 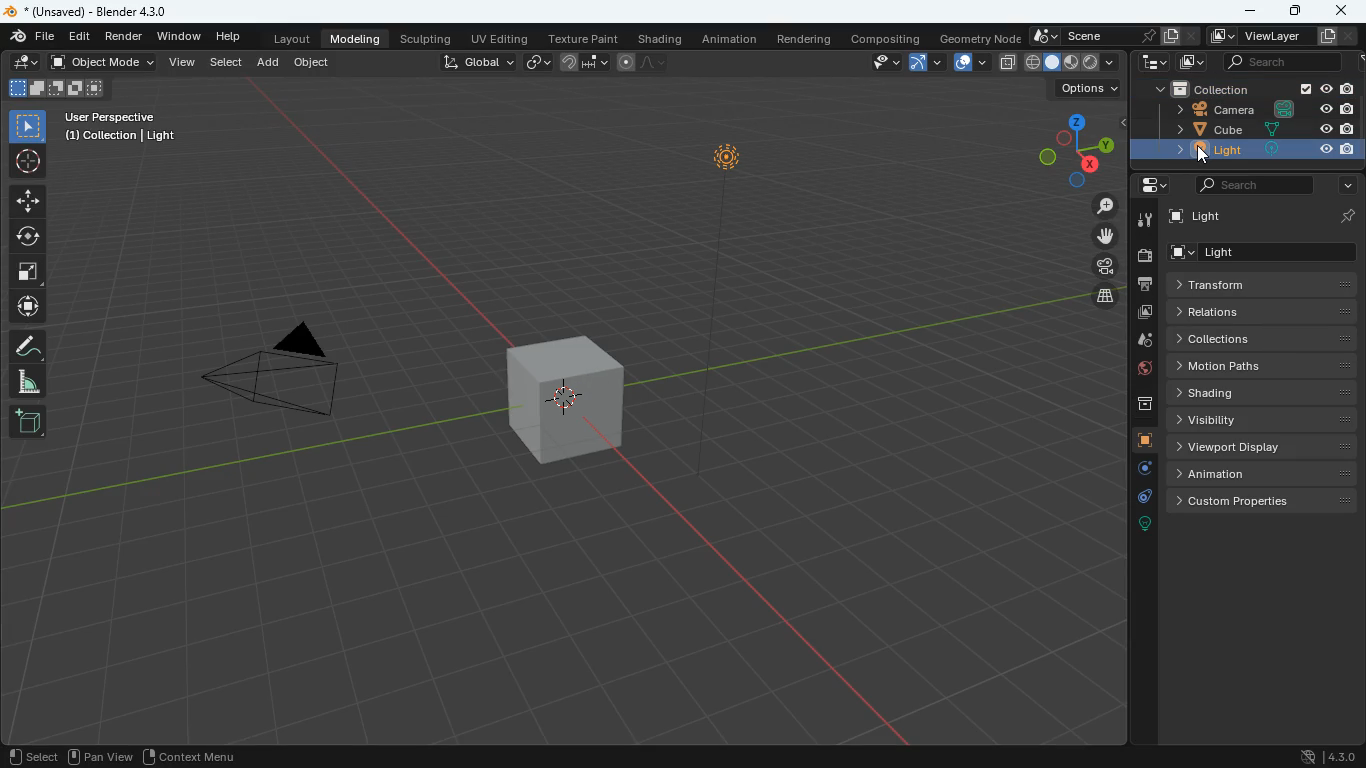 What do you see at coordinates (1106, 298) in the screenshot?
I see `layers` at bounding box center [1106, 298].